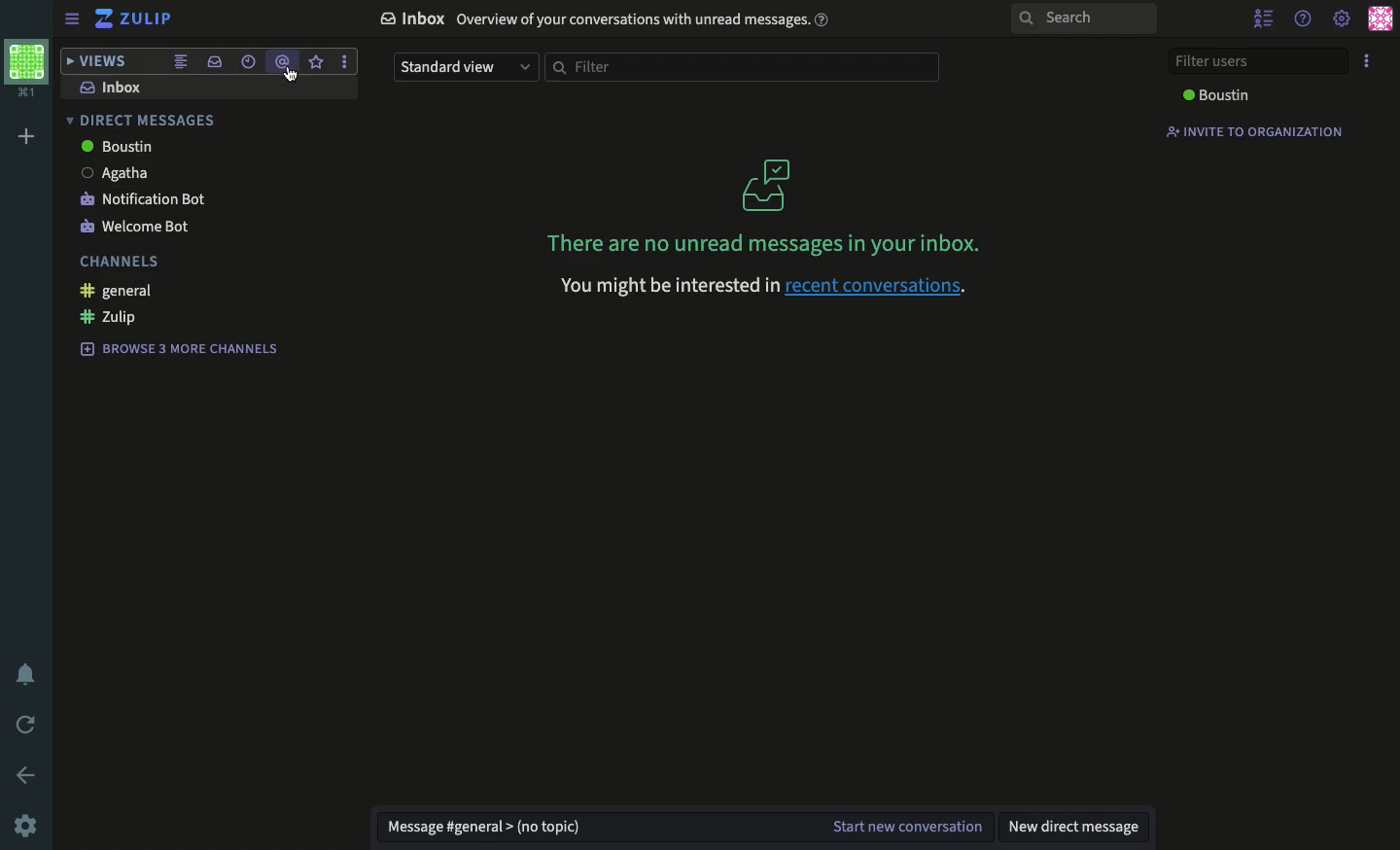 The image size is (1400, 850). Describe the element at coordinates (26, 722) in the screenshot. I see `refresh` at that location.